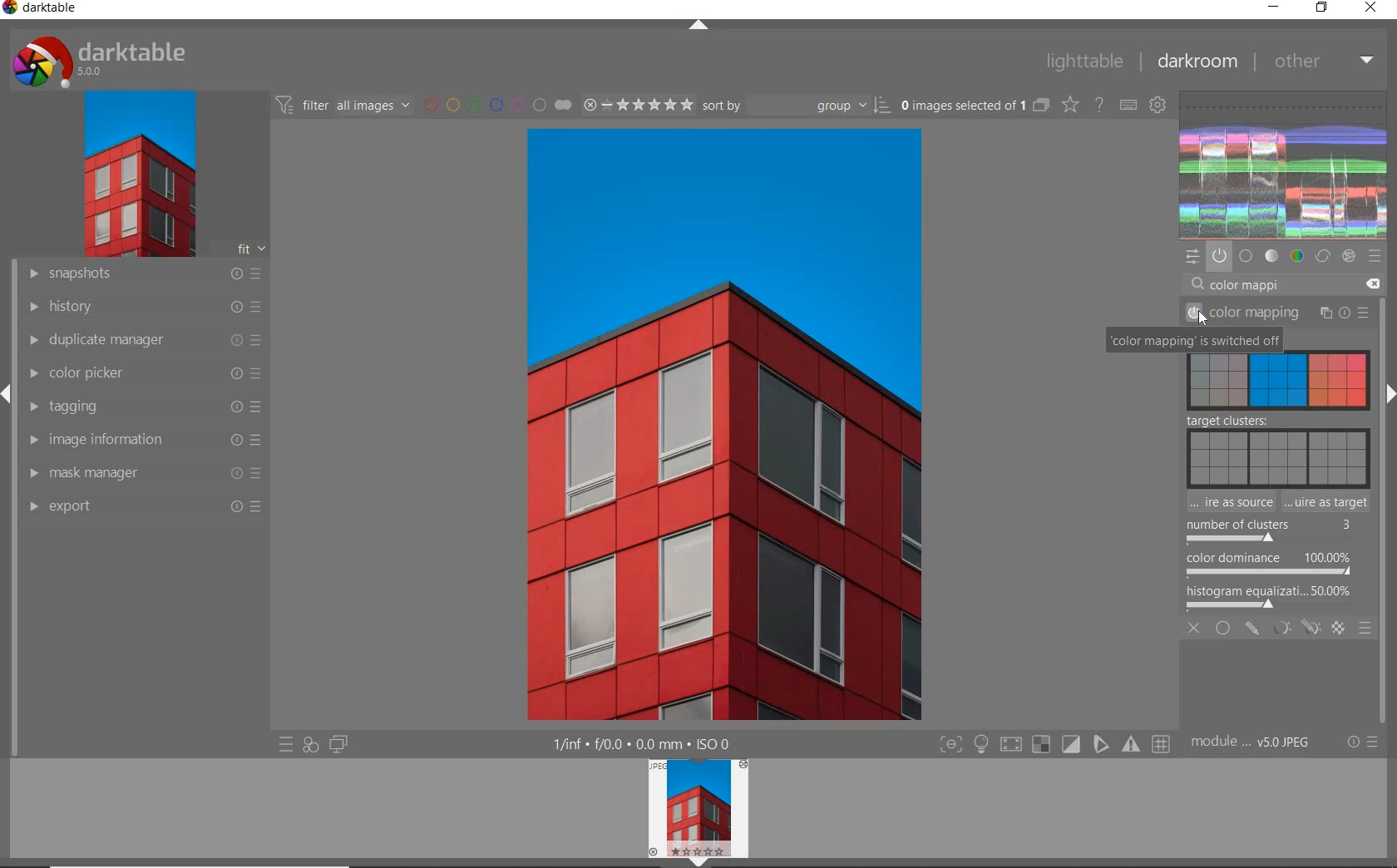 This screenshot has height=868, width=1397. I want to click on duplicate manager, so click(144, 340).